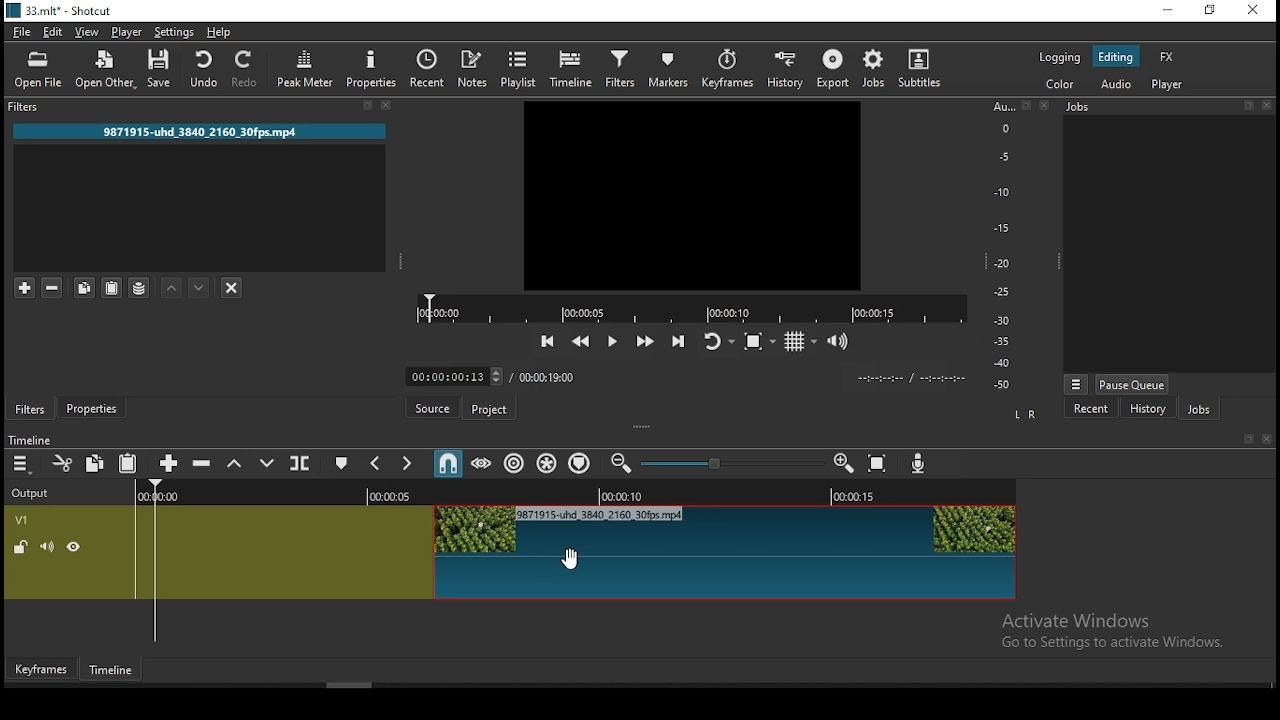  What do you see at coordinates (30, 409) in the screenshot?
I see `filters` at bounding box center [30, 409].